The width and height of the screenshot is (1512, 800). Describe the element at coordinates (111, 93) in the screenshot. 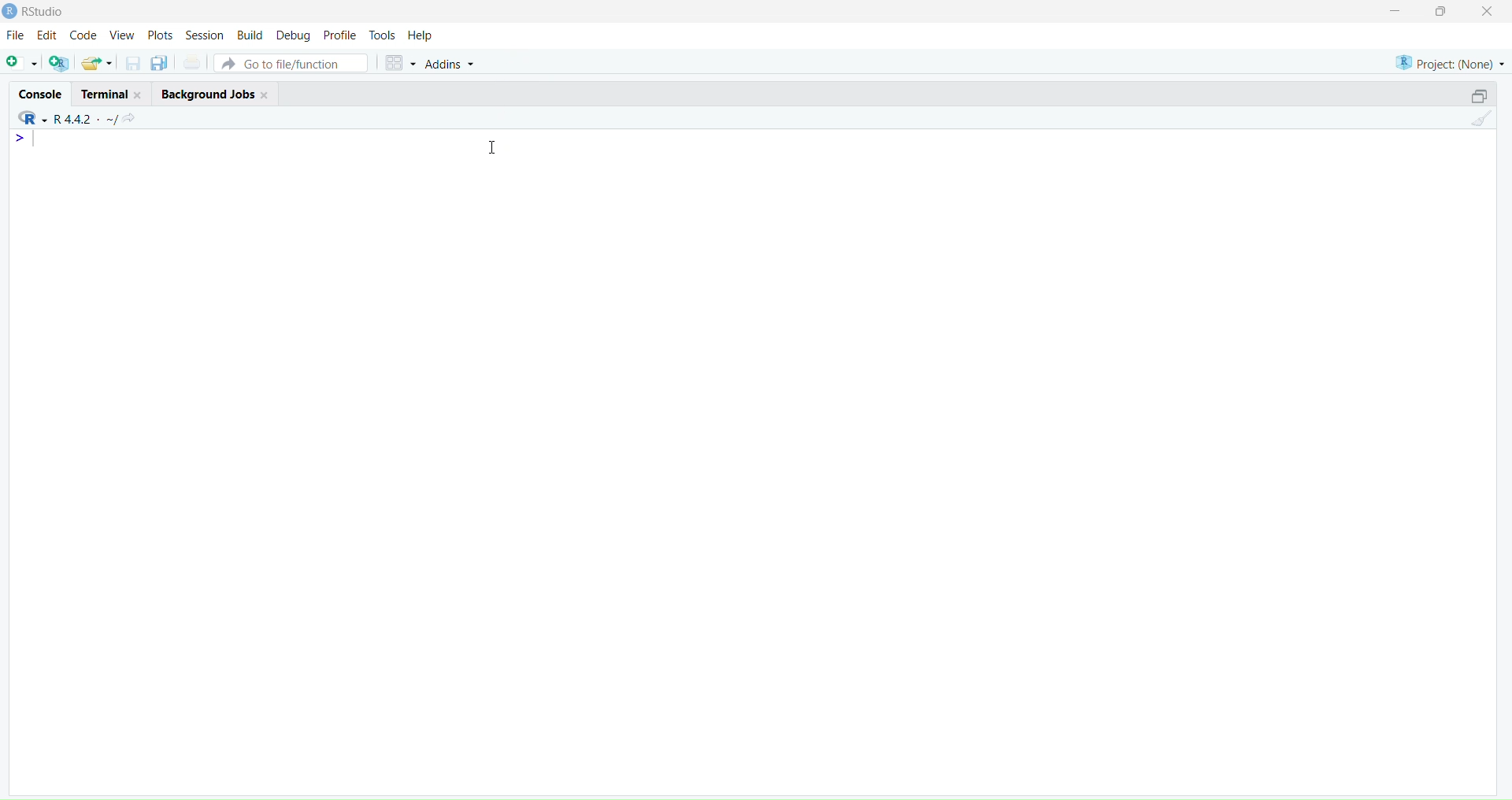

I see `terminal` at that location.